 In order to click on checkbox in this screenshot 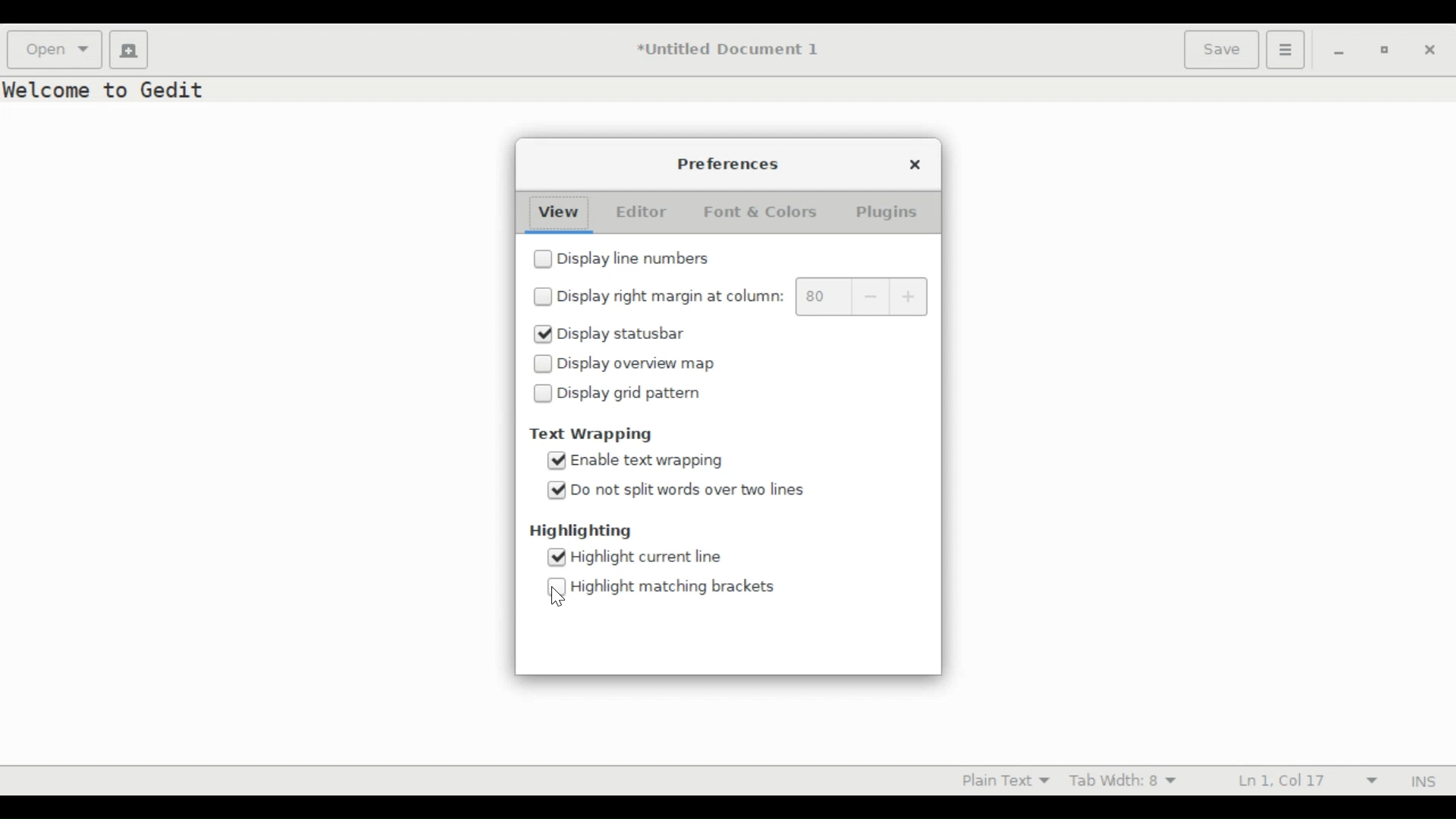, I will do `click(544, 365)`.